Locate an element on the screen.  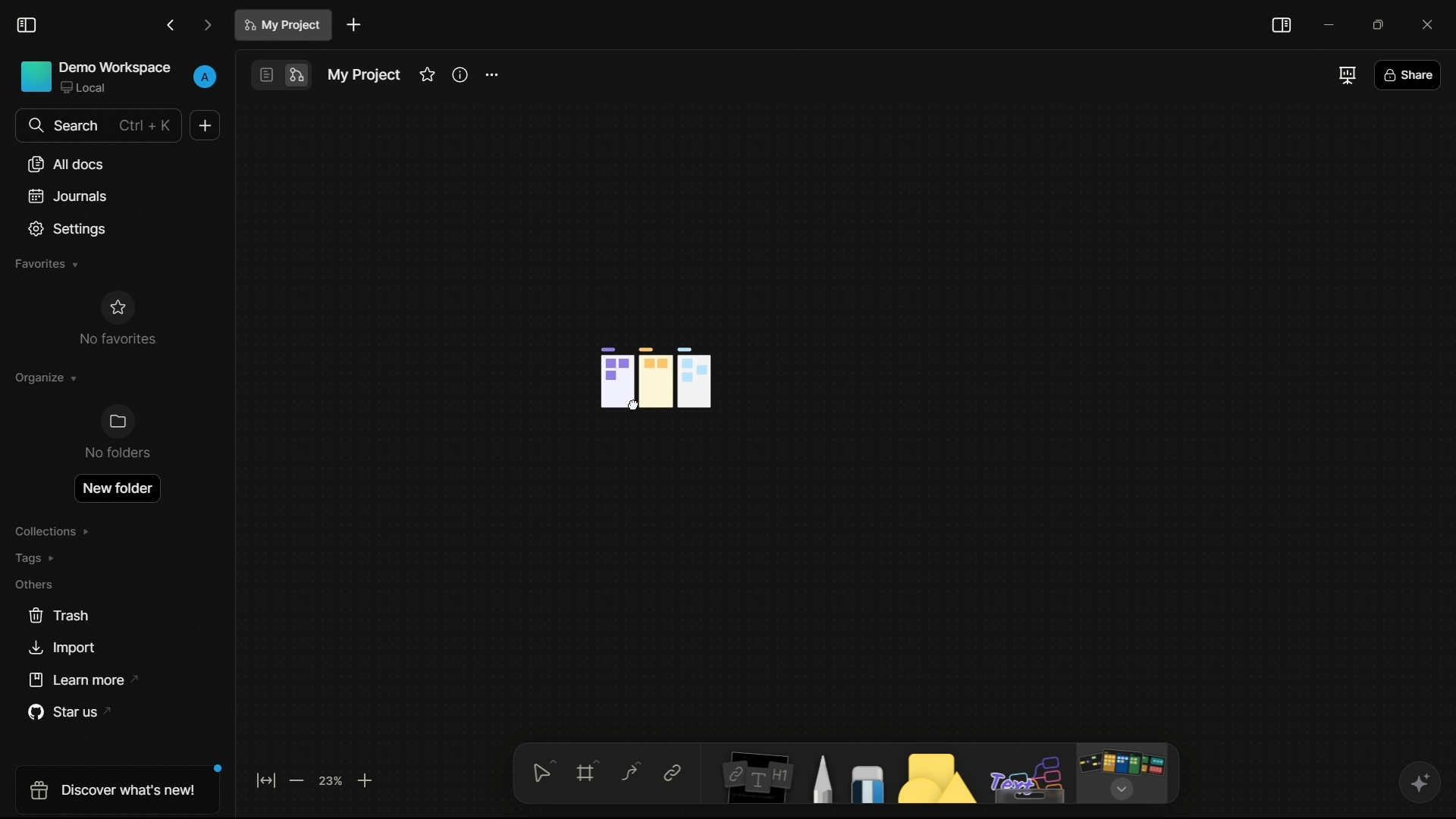
notes is located at coordinates (757, 777).